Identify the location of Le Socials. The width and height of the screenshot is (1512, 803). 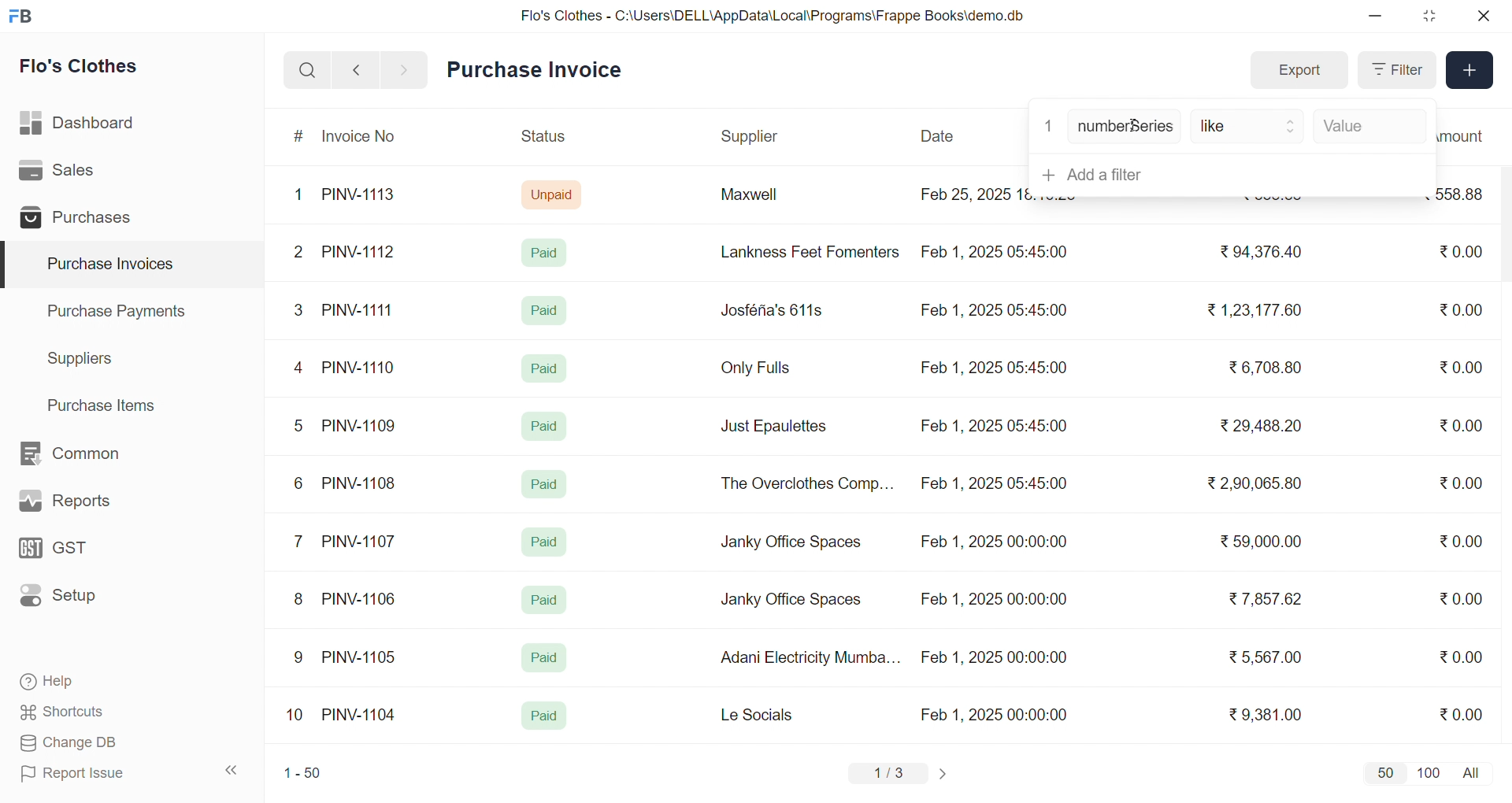
(770, 714).